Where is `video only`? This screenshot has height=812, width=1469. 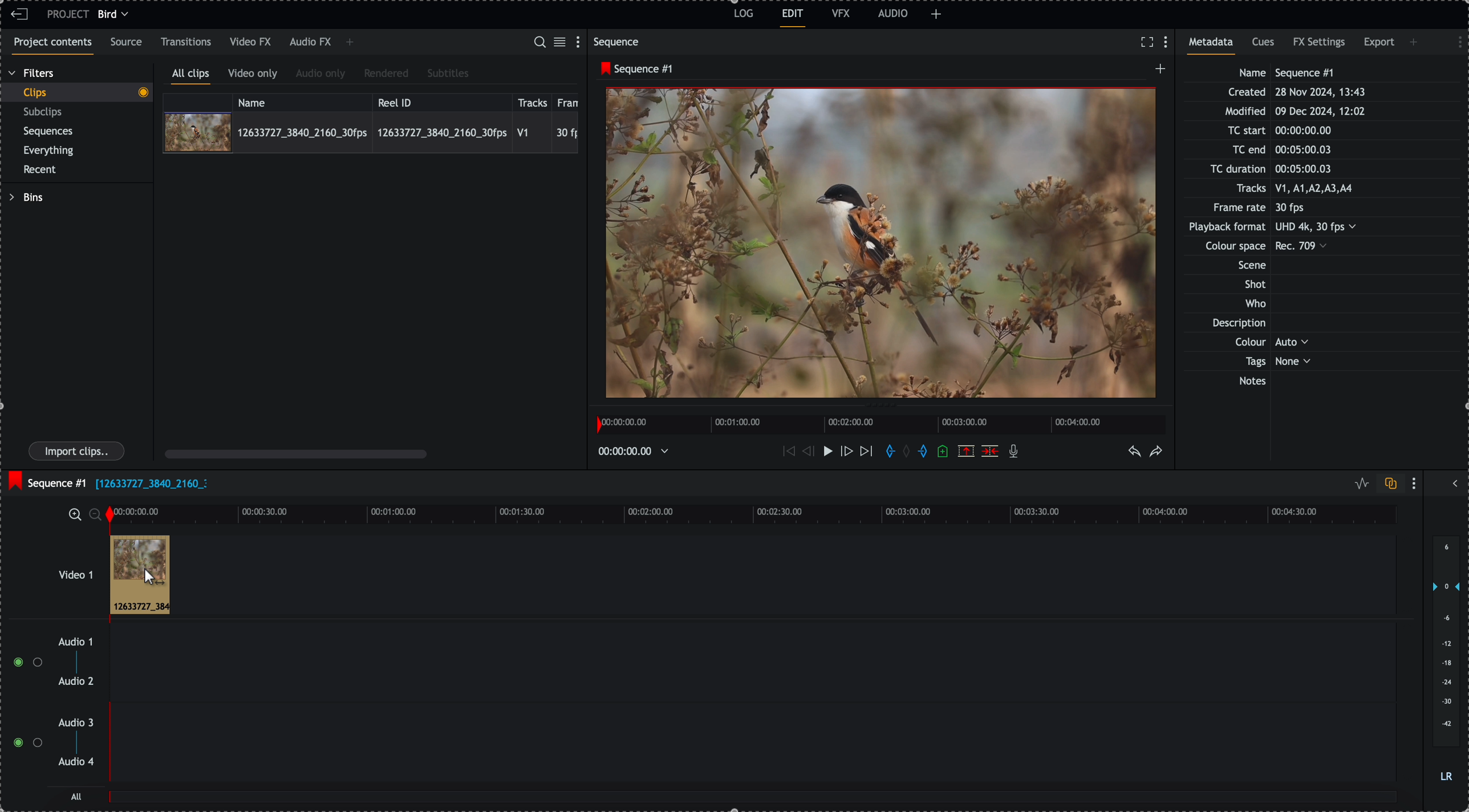
video only is located at coordinates (255, 75).